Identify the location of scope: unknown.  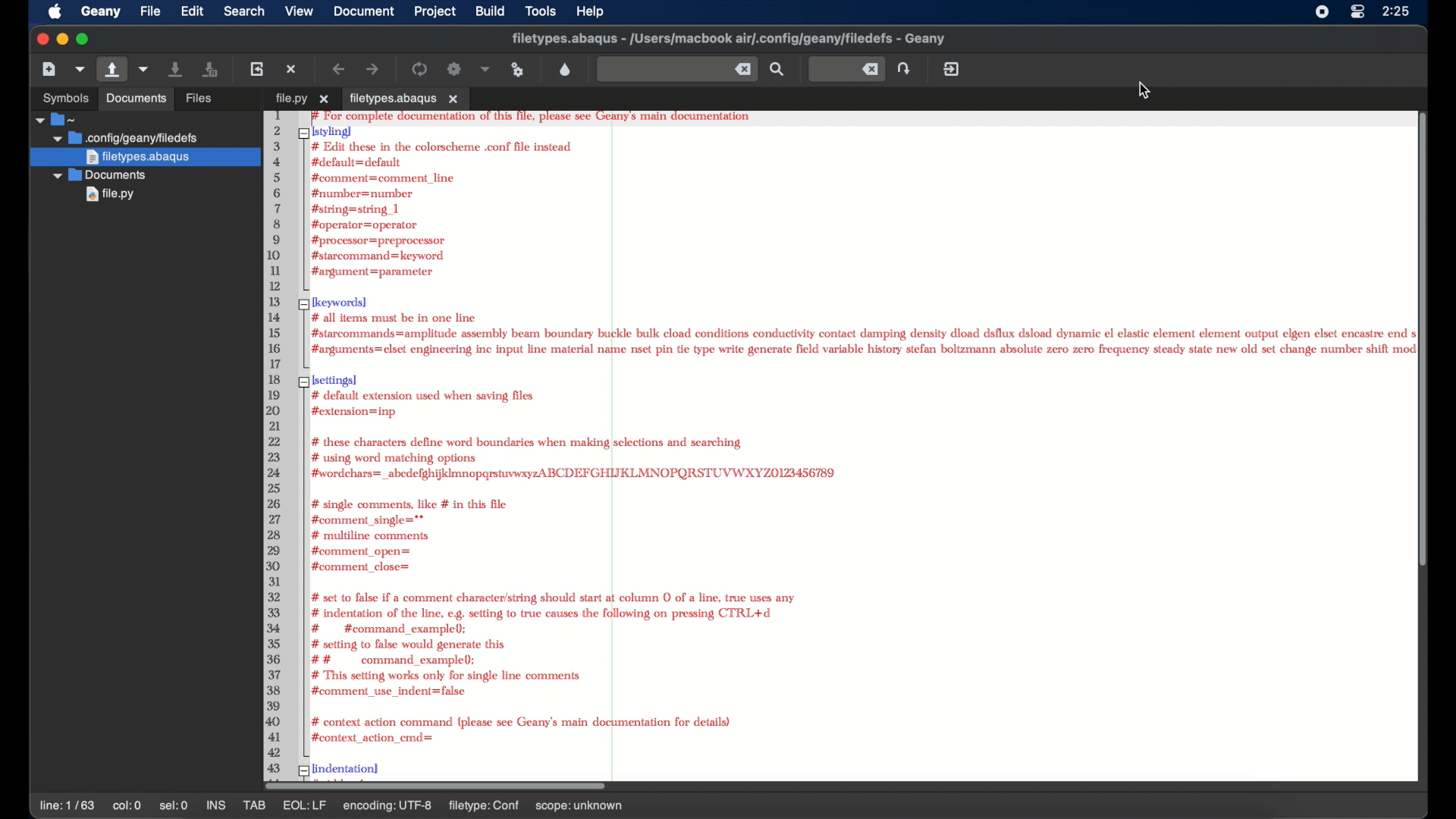
(637, 807).